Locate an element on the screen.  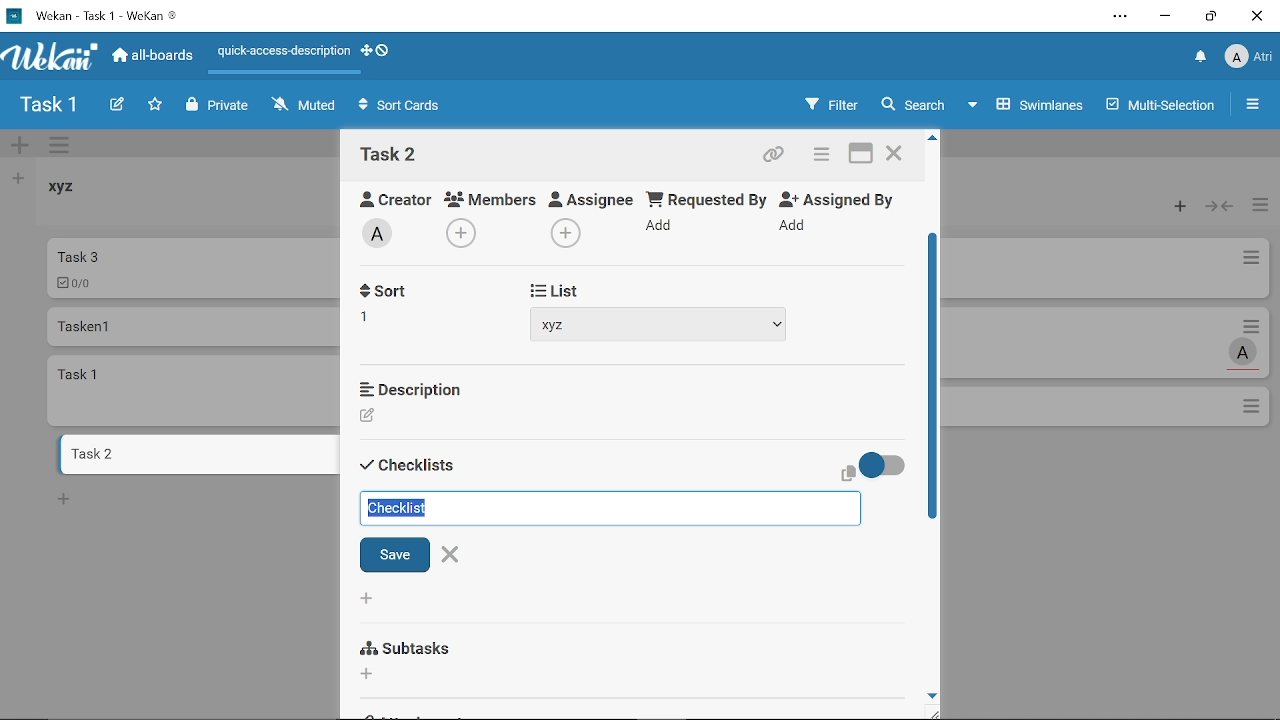
Click here to star this board is located at coordinates (155, 106).